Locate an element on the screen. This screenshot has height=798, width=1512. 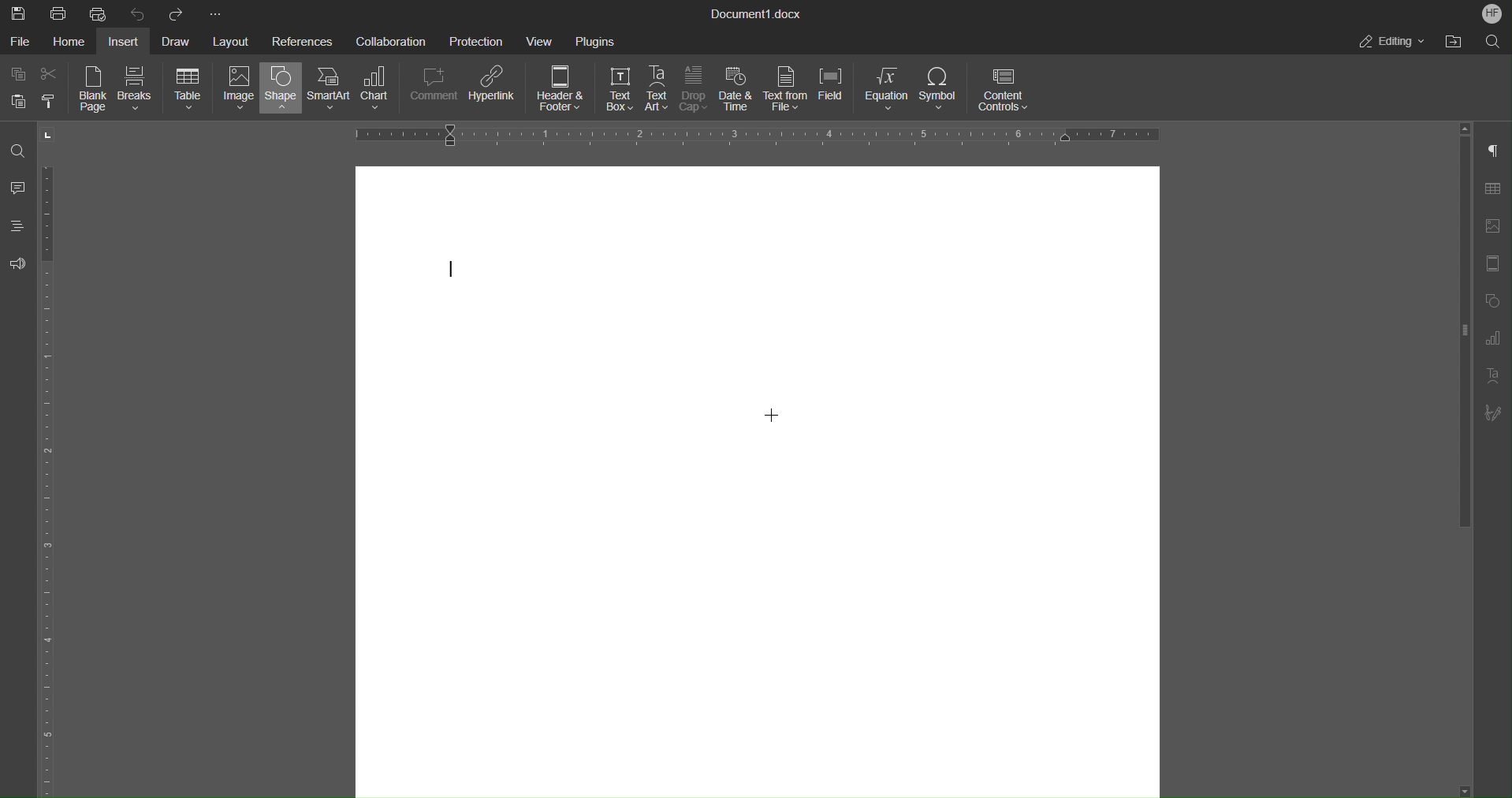
Open File Location is located at coordinates (1453, 42).